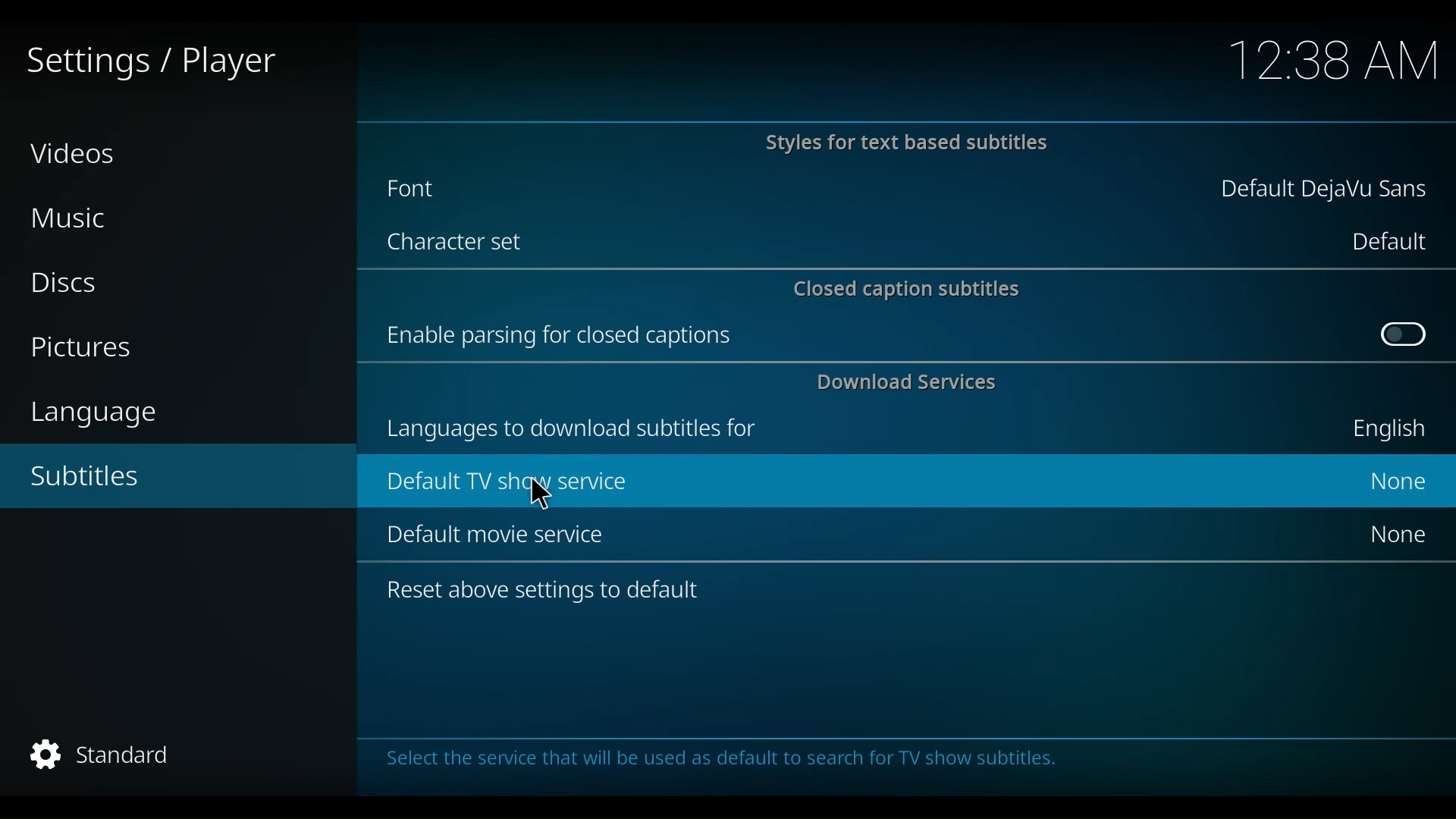  Describe the element at coordinates (548, 496) in the screenshot. I see `Cursor` at that location.